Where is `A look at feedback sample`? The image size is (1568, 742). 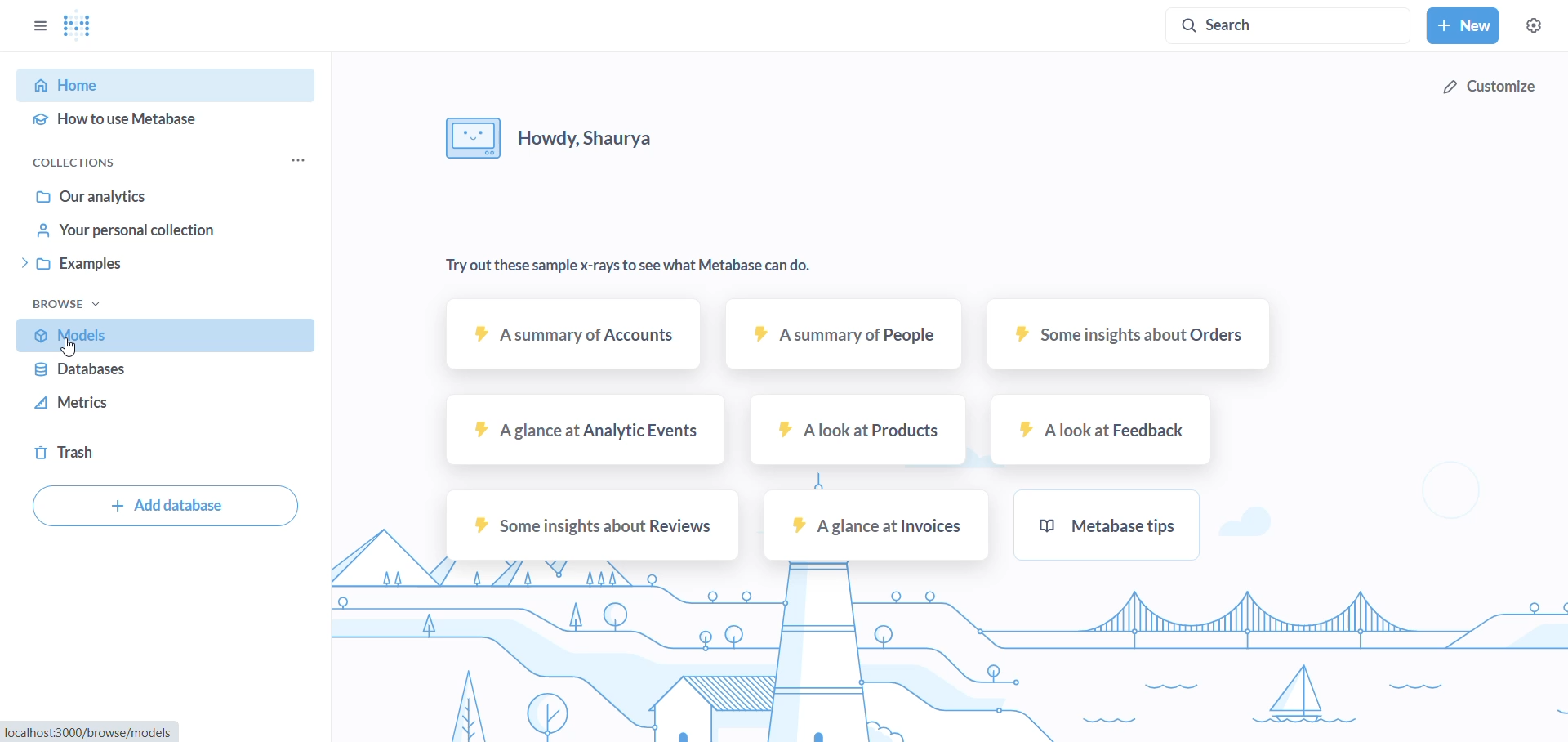 A look at feedback sample is located at coordinates (1101, 435).